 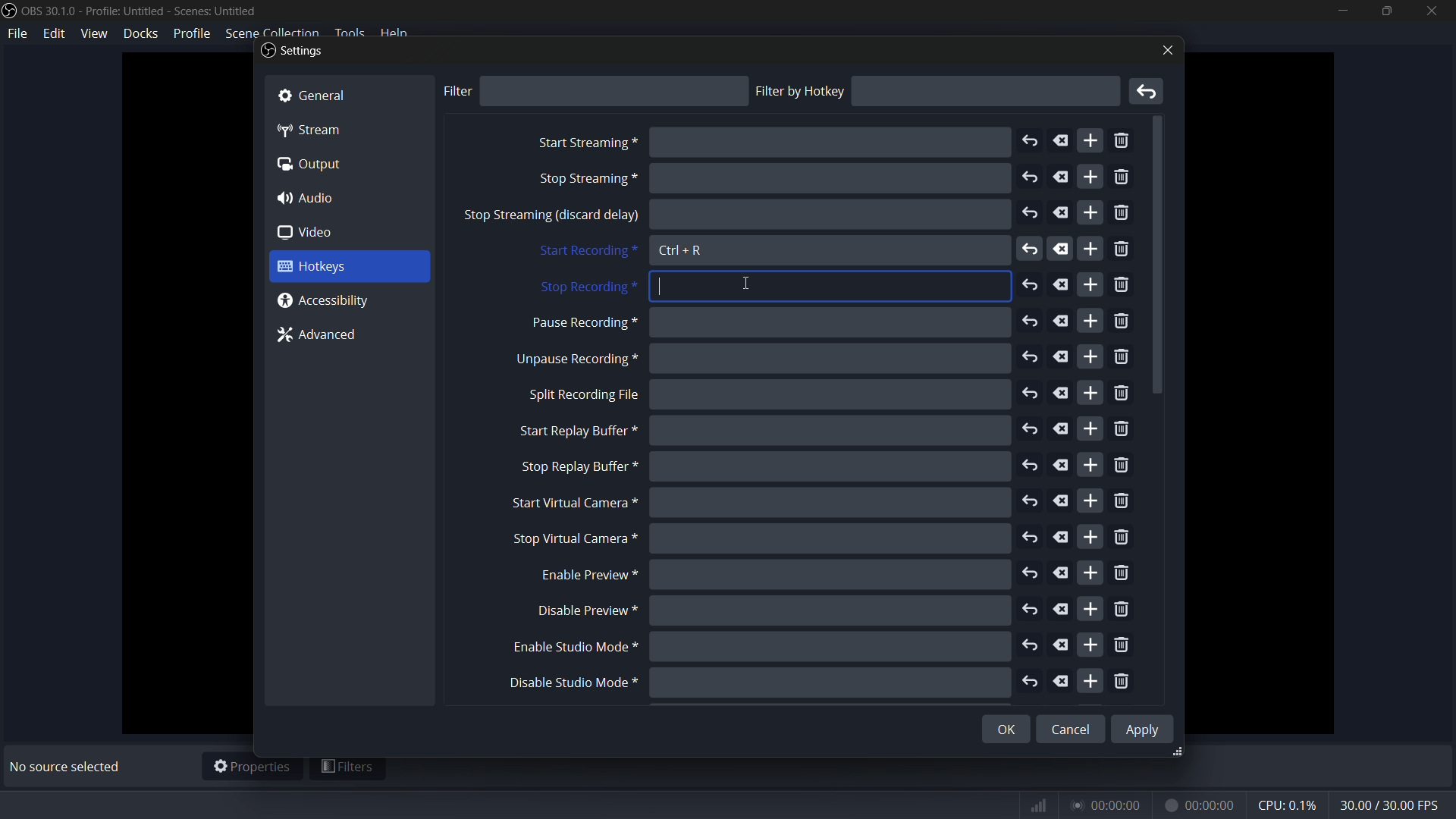 I want to click on remove, so click(x=1123, y=502).